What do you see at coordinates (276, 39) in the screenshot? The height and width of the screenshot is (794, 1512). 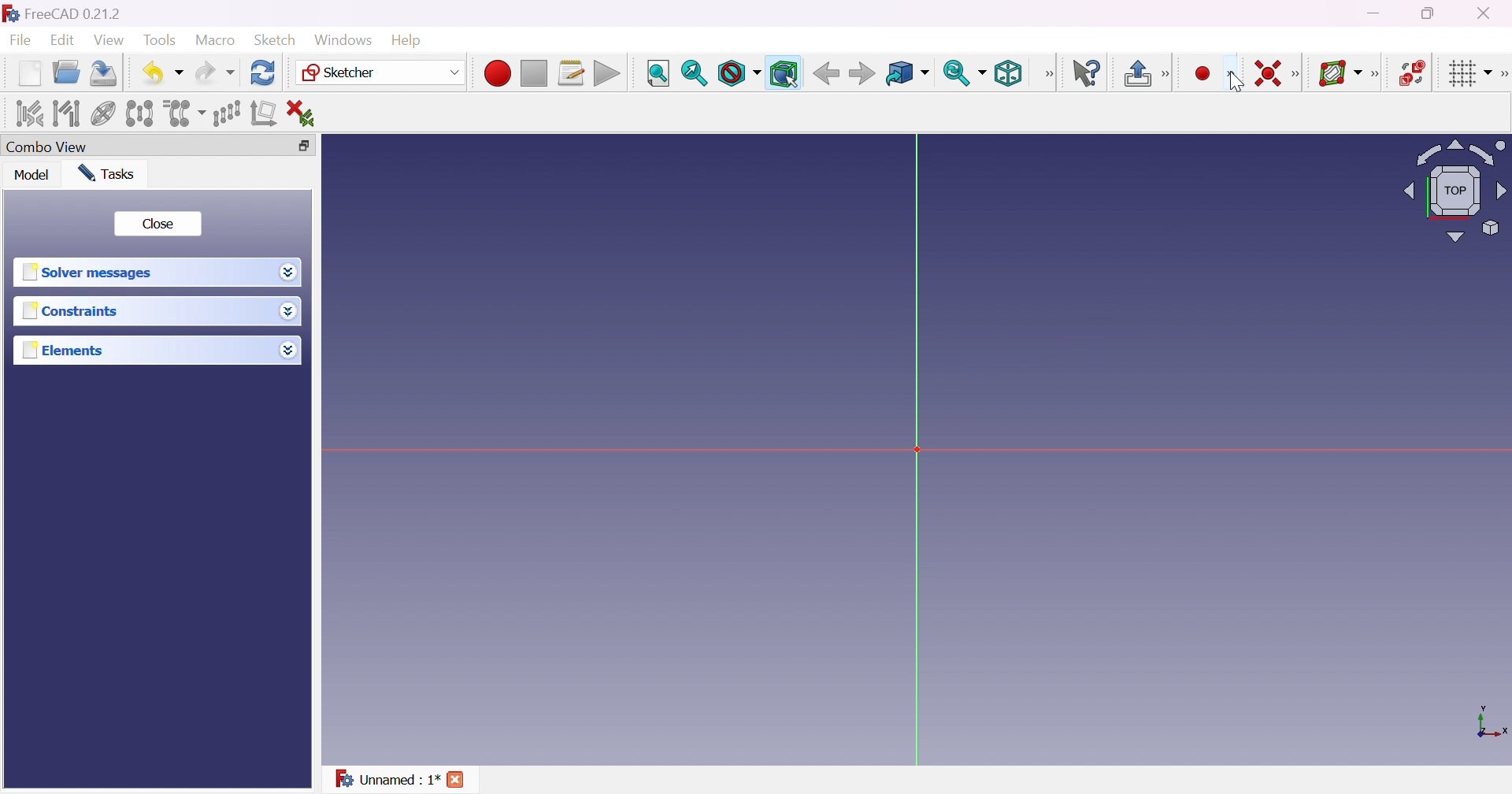 I see `Sketch` at bounding box center [276, 39].